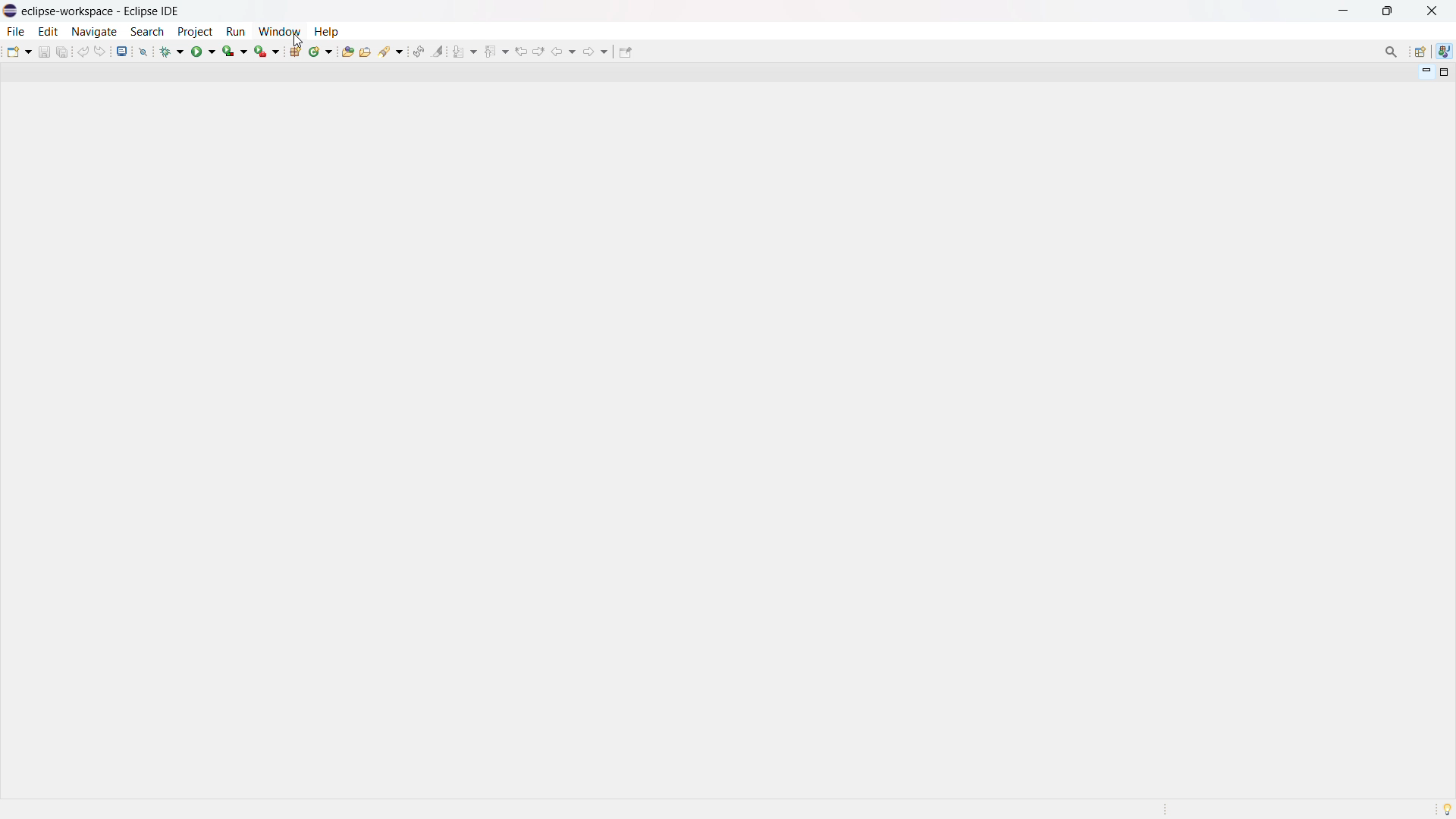  What do you see at coordinates (1432, 11) in the screenshot?
I see `close` at bounding box center [1432, 11].